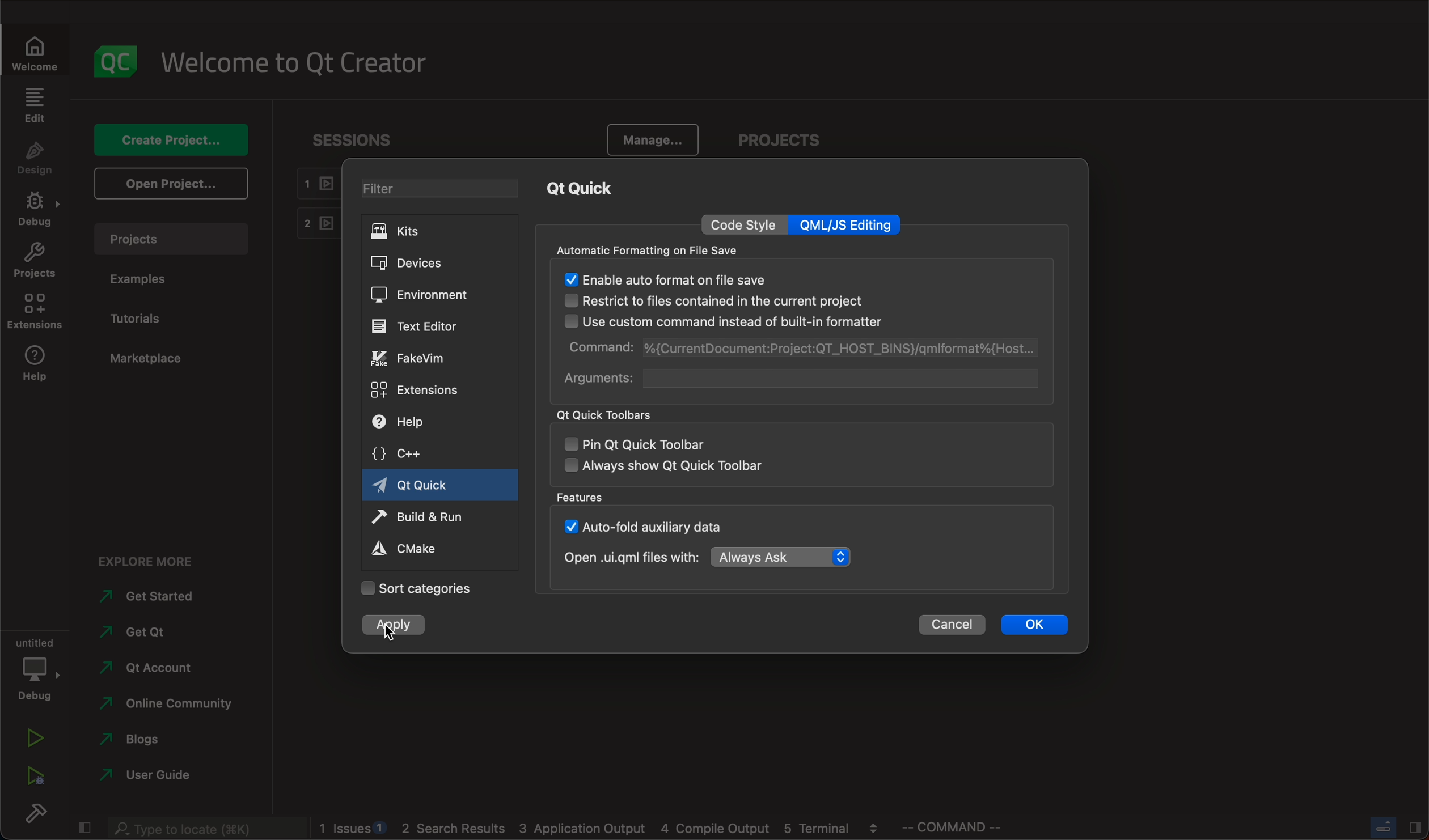 The width and height of the screenshot is (1429, 840). Describe the element at coordinates (964, 828) in the screenshot. I see `command` at that location.